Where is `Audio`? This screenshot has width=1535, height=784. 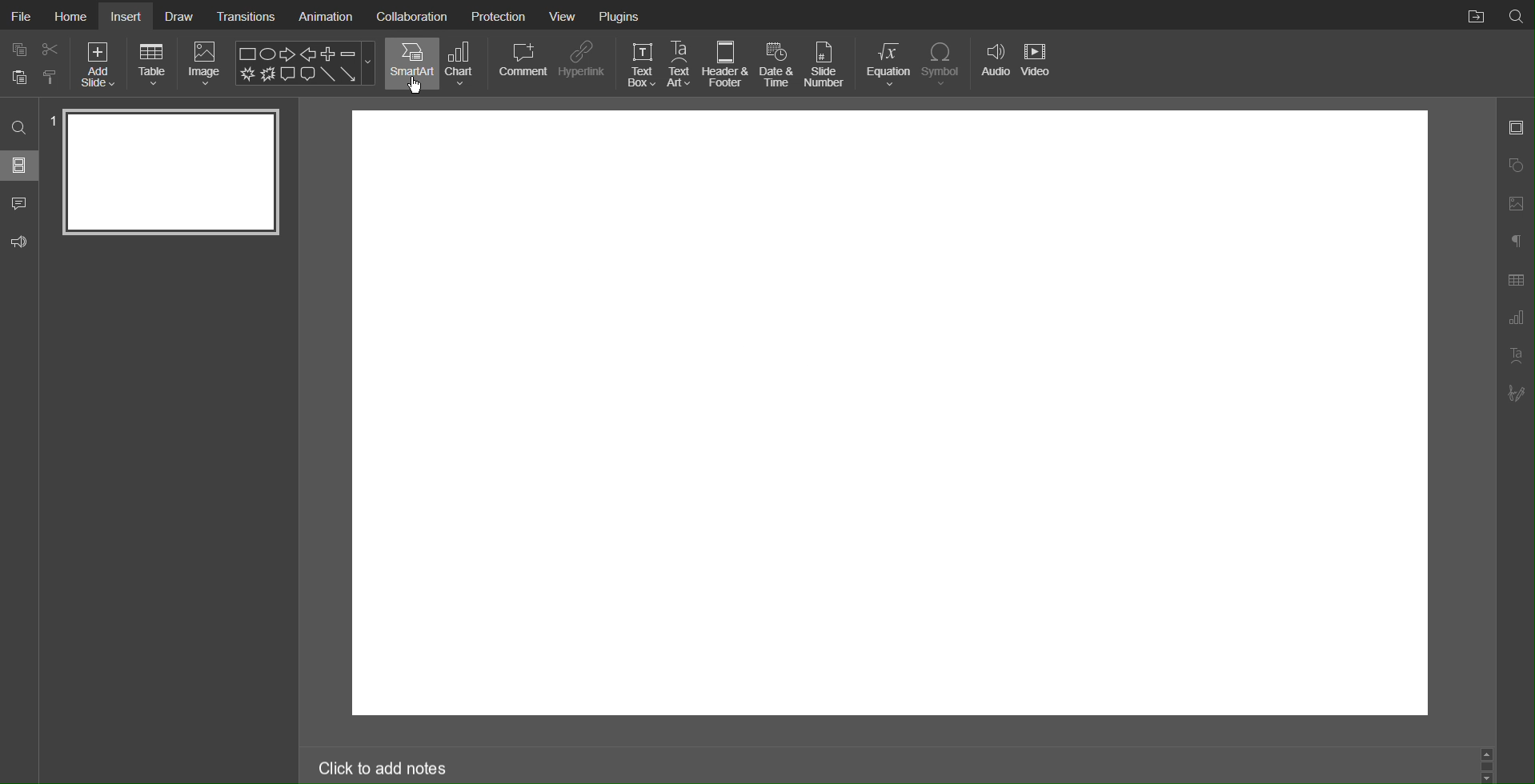
Audio is located at coordinates (996, 60).